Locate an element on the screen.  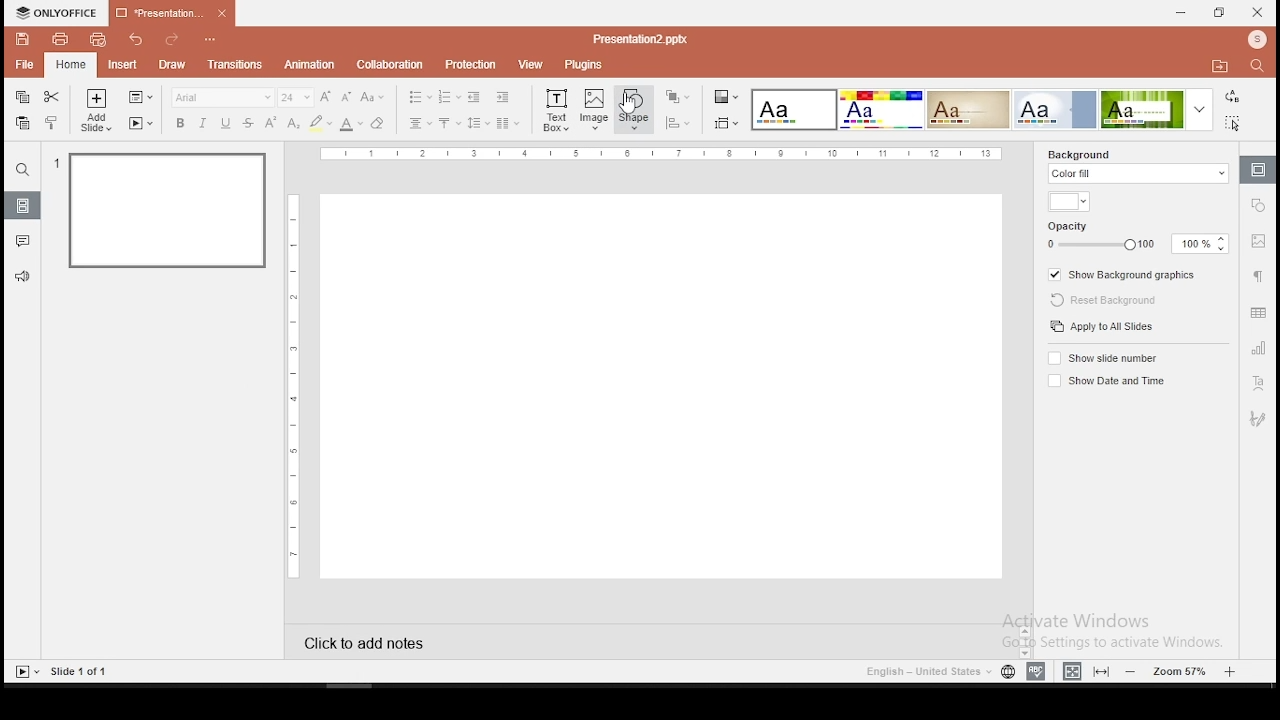
language is located at coordinates (1008, 674).